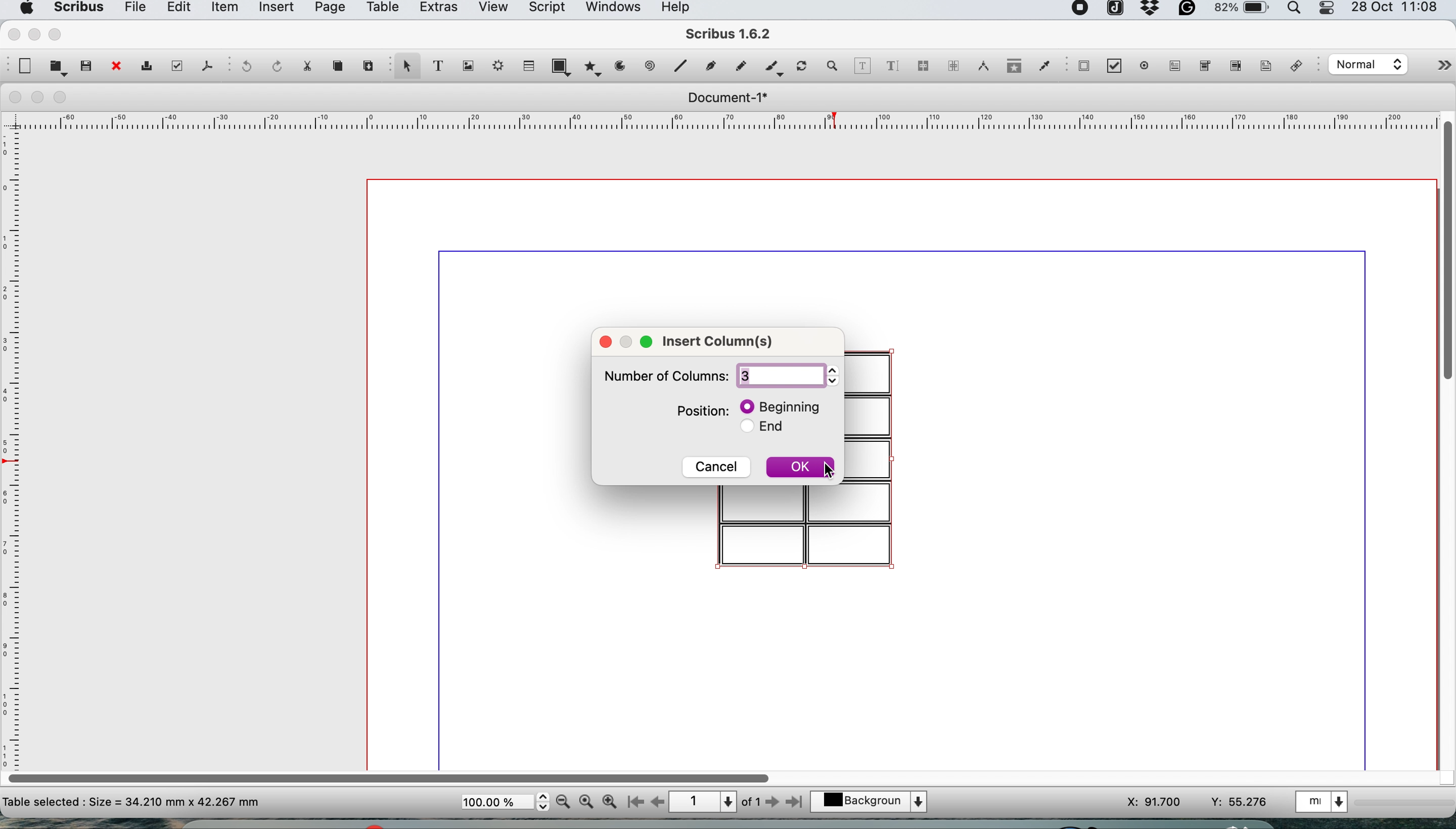 This screenshot has height=829, width=1456. I want to click on increment or decrement number of columns, so click(830, 375).